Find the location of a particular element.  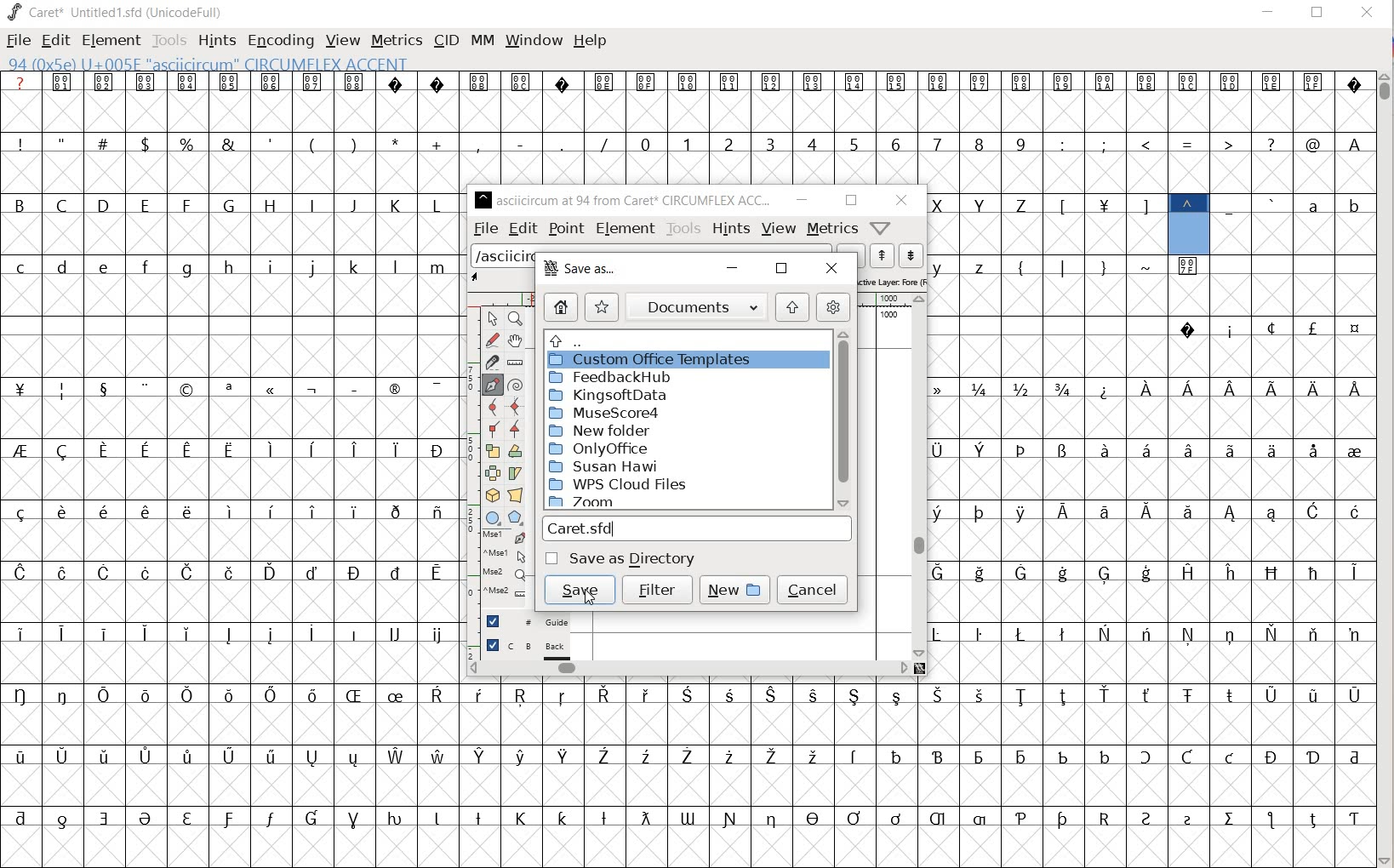

guide is located at coordinates (528, 621).